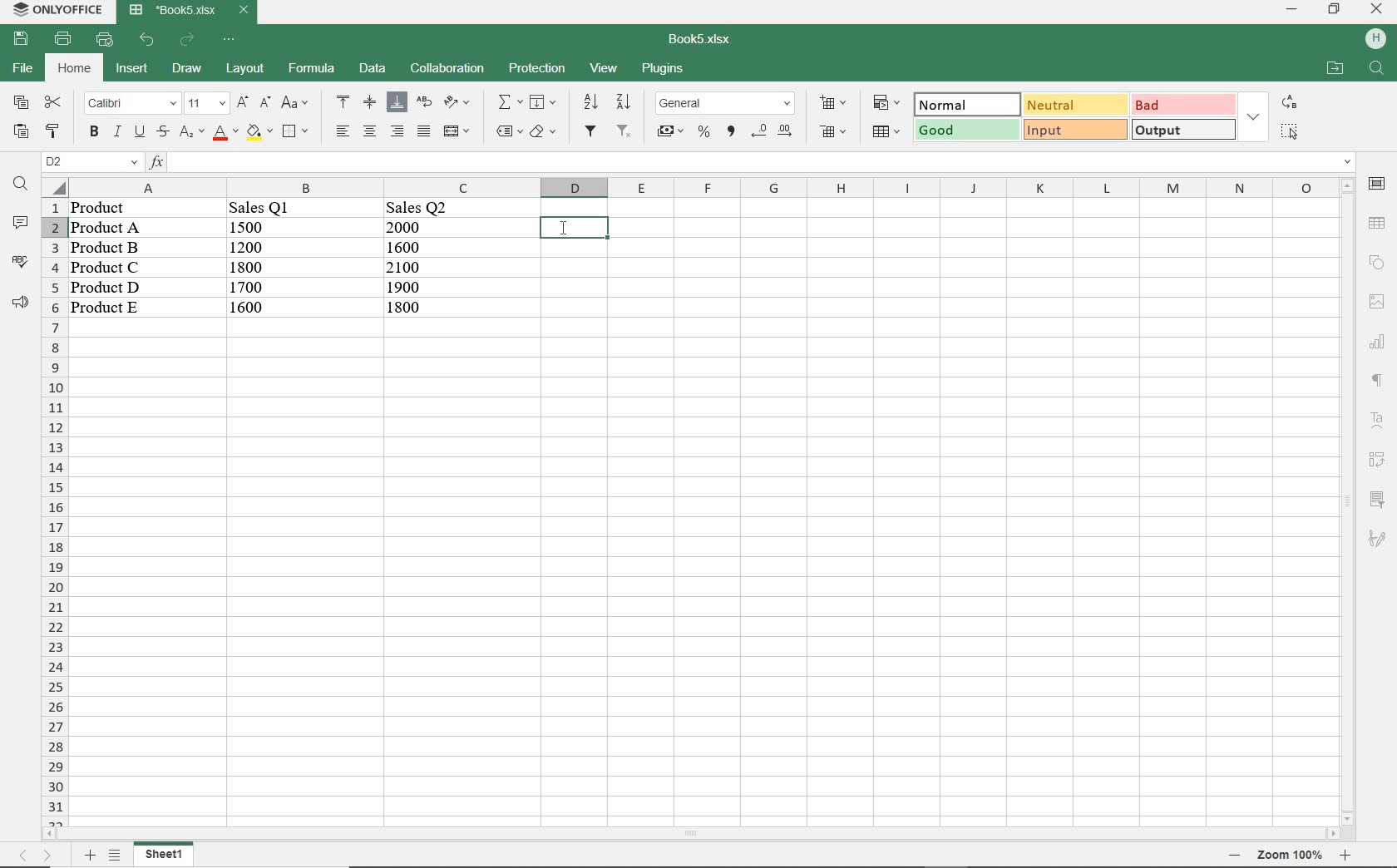 The height and width of the screenshot is (868, 1397). Describe the element at coordinates (544, 133) in the screenshot. I see `clear` at that location.